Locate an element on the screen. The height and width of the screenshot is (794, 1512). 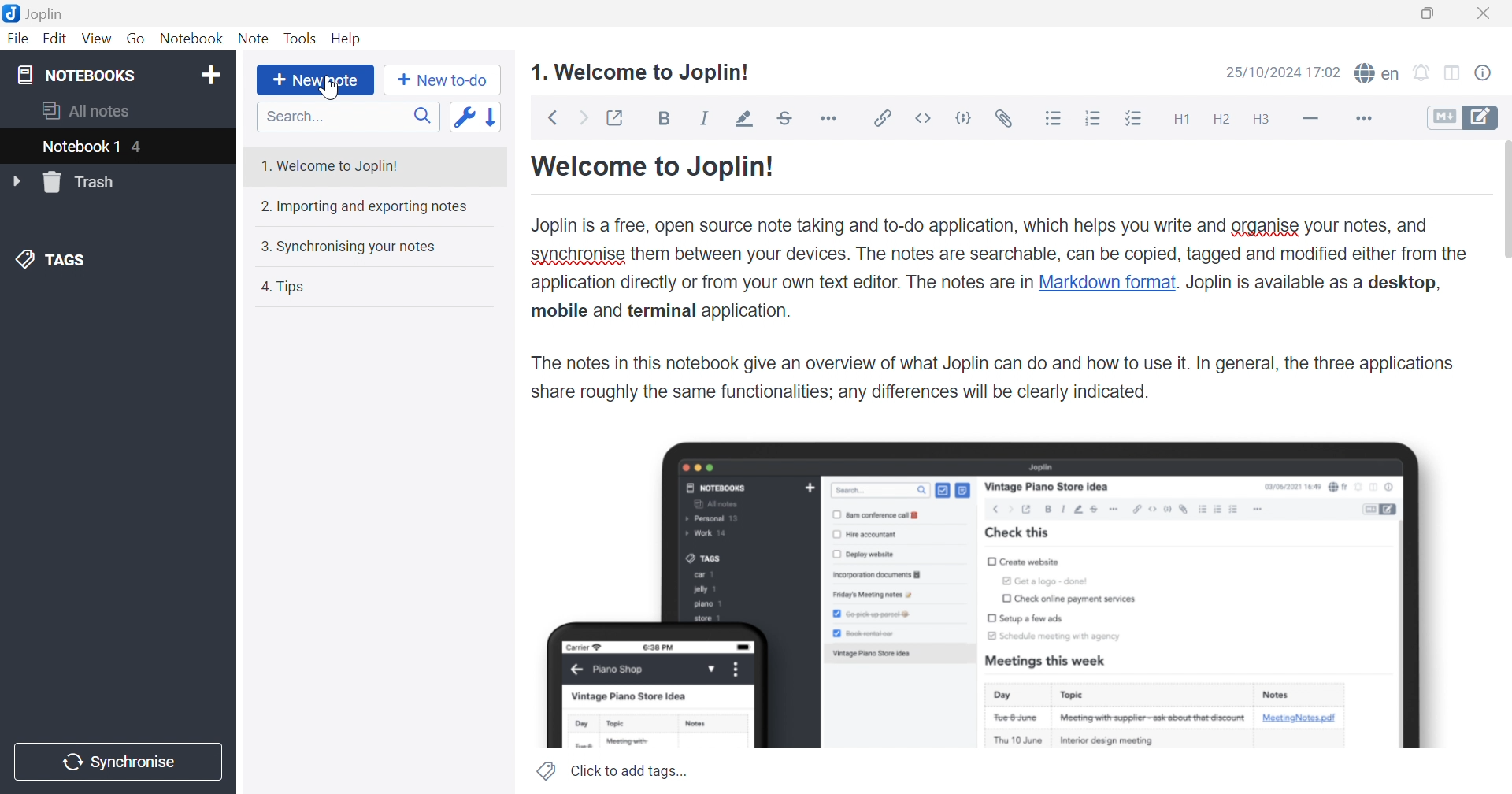
Spell checker is located at coordinates (1379, 74).